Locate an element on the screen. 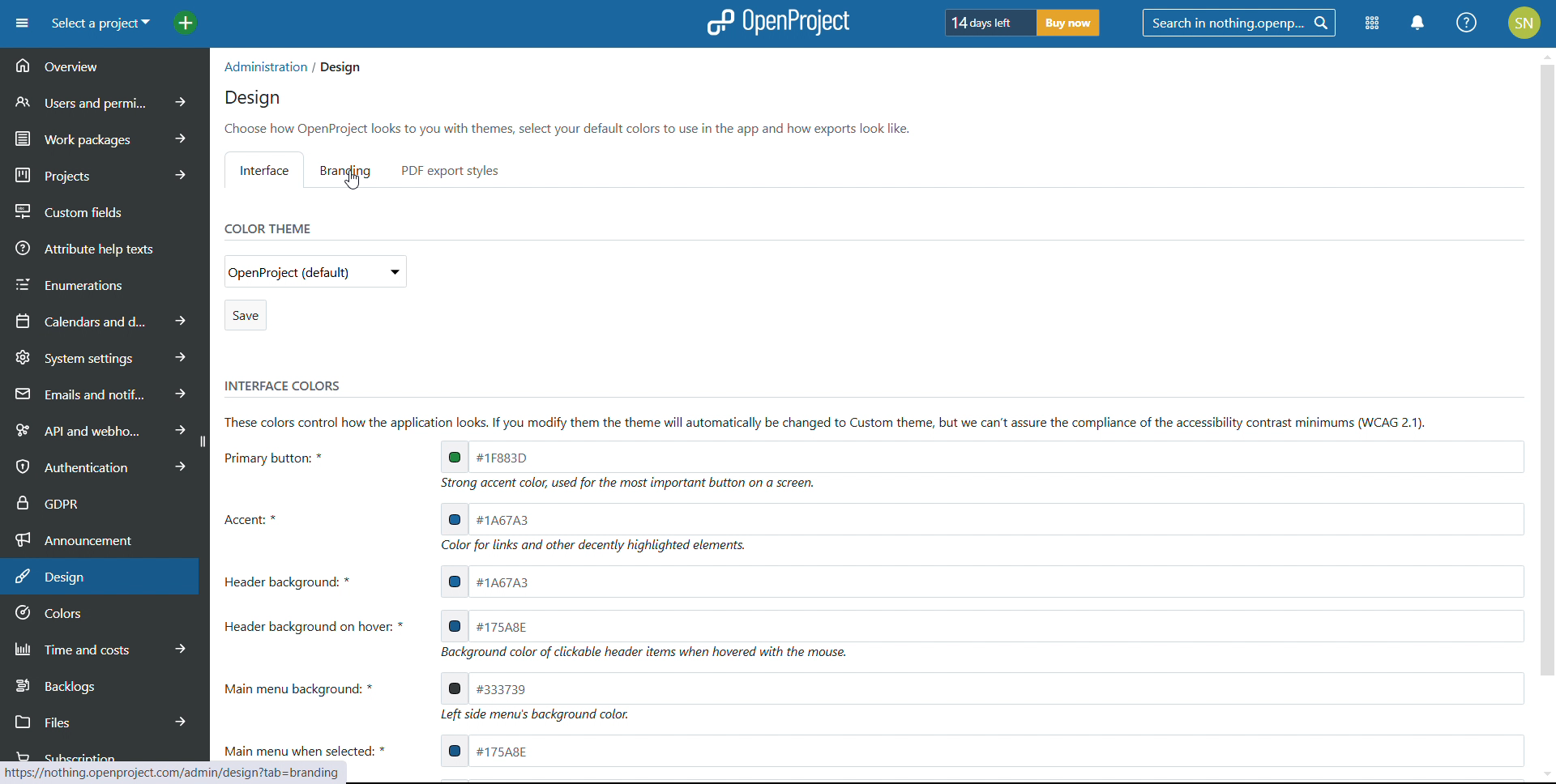 Image resolution: width=1556 pixels, height=784 pixels. modules is located at coordinates (1371, 24).